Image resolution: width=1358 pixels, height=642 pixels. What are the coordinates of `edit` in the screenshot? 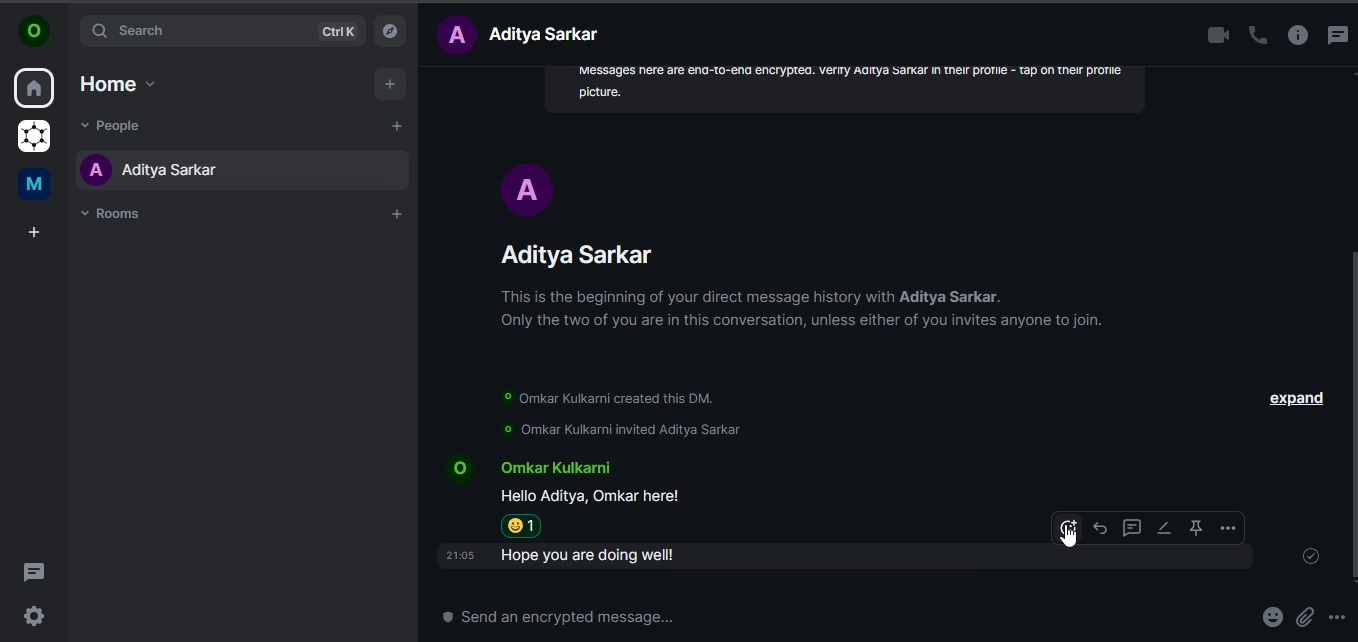 It's located at (1163, 528).